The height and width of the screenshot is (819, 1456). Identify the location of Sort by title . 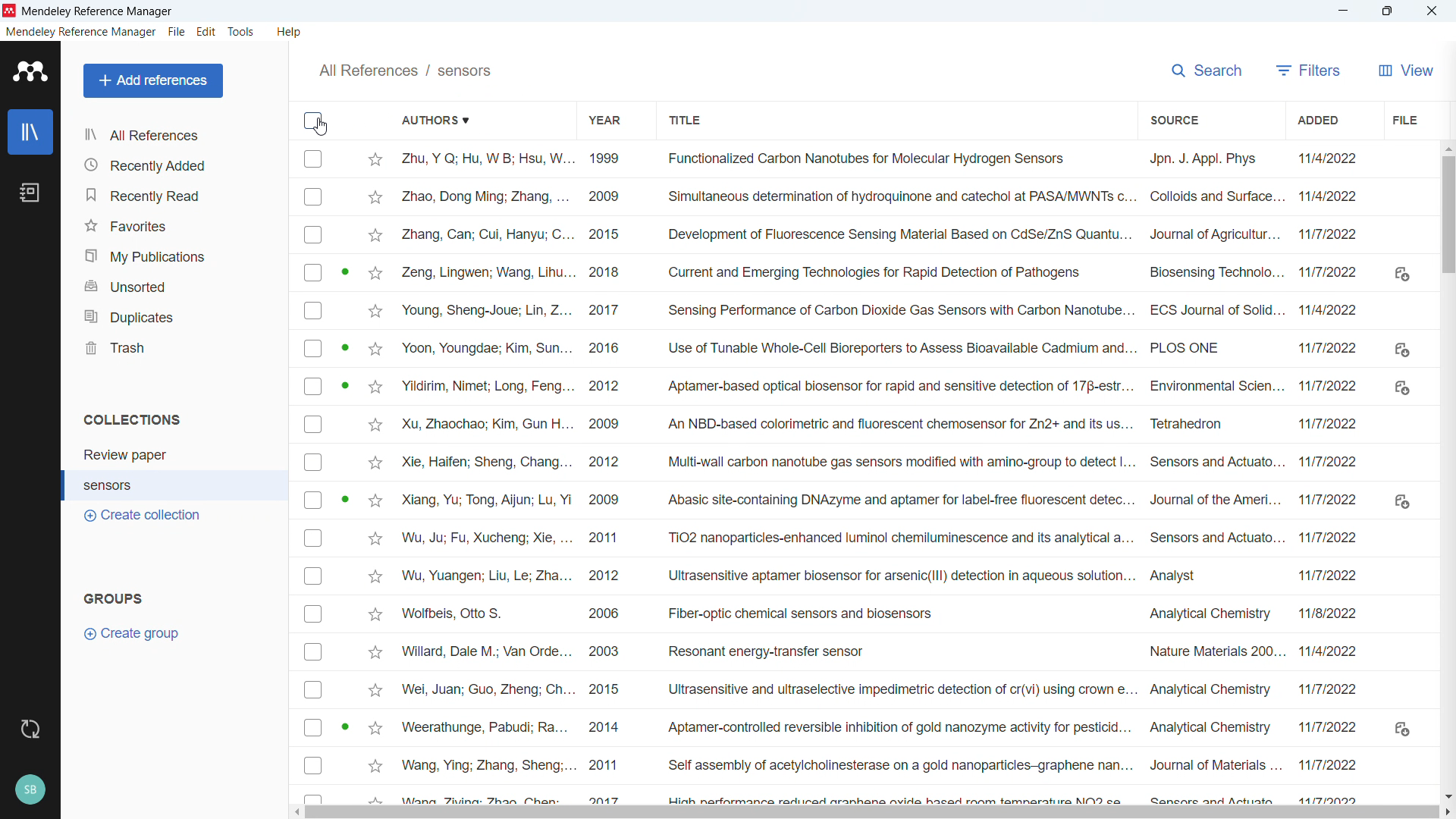
(689, 121).